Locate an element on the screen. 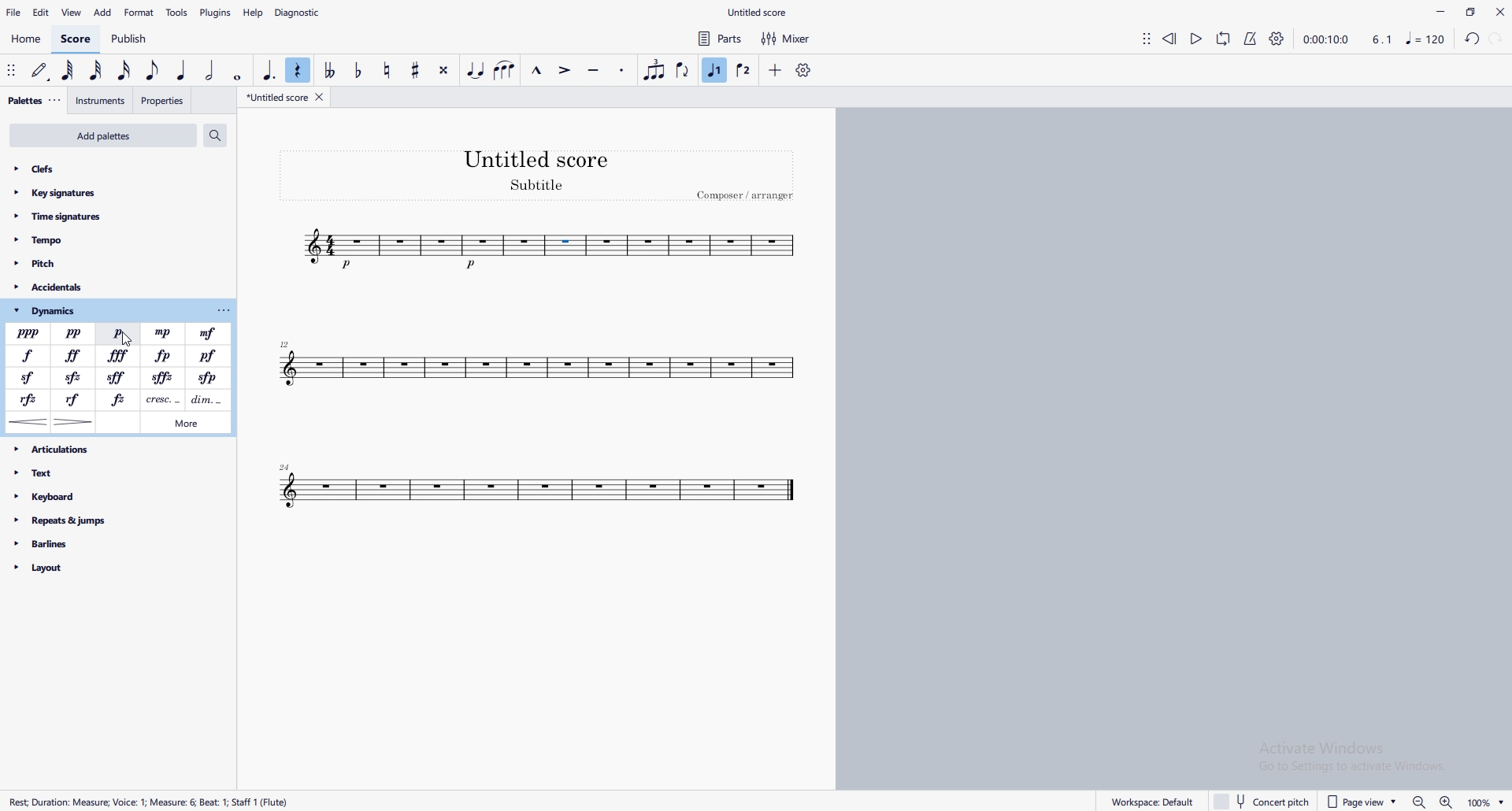 The image size is (1512, 811). customize toolbar is located at coordinates (803, 69).